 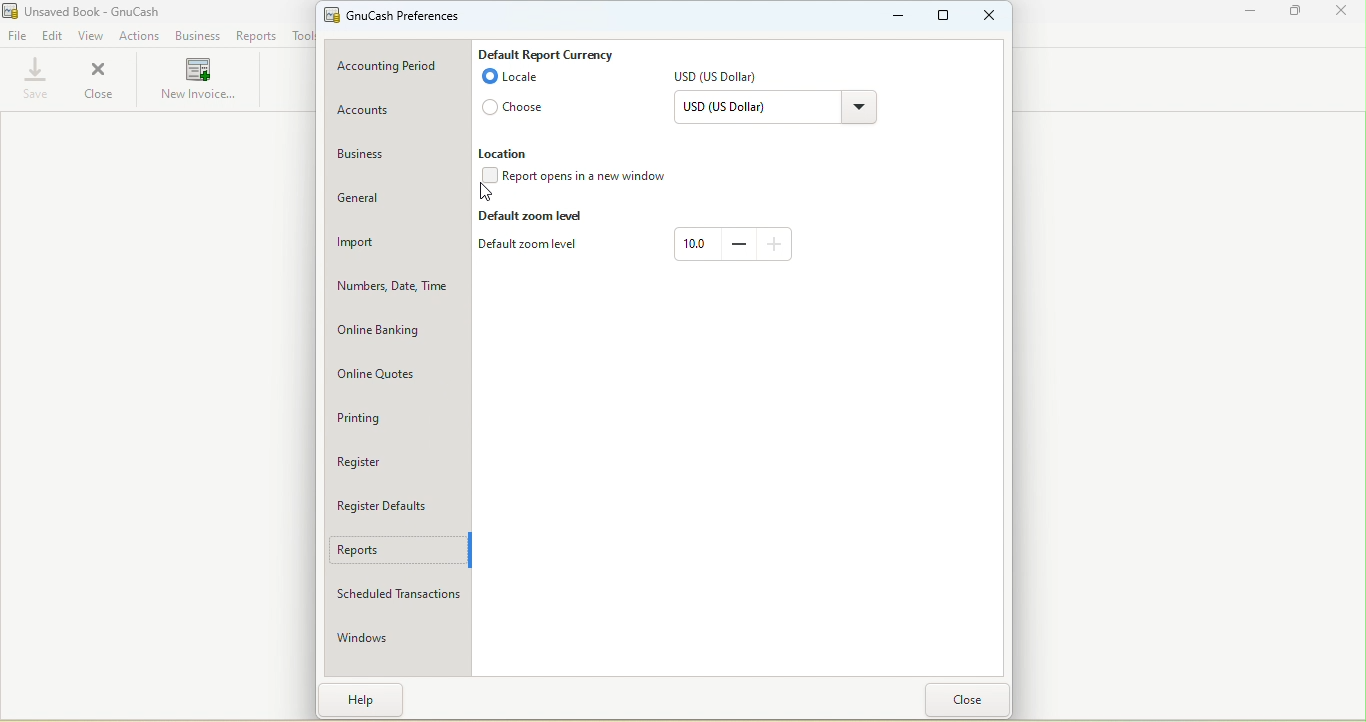 What do you see at coordinates (858, 110) in the screenshot?
I see `Drop down` at bounding box center [858, 110].